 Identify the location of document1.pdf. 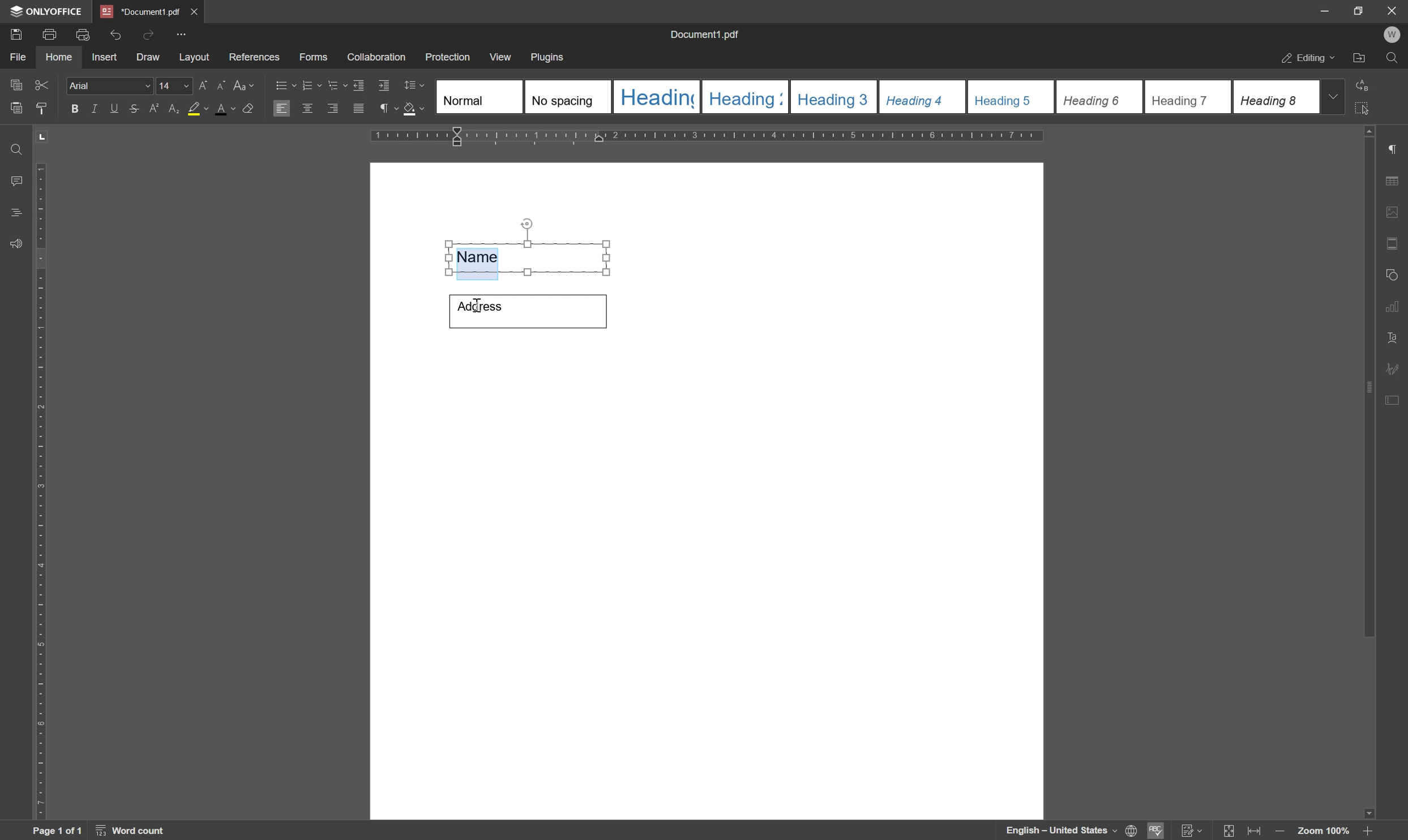
(707, 36).